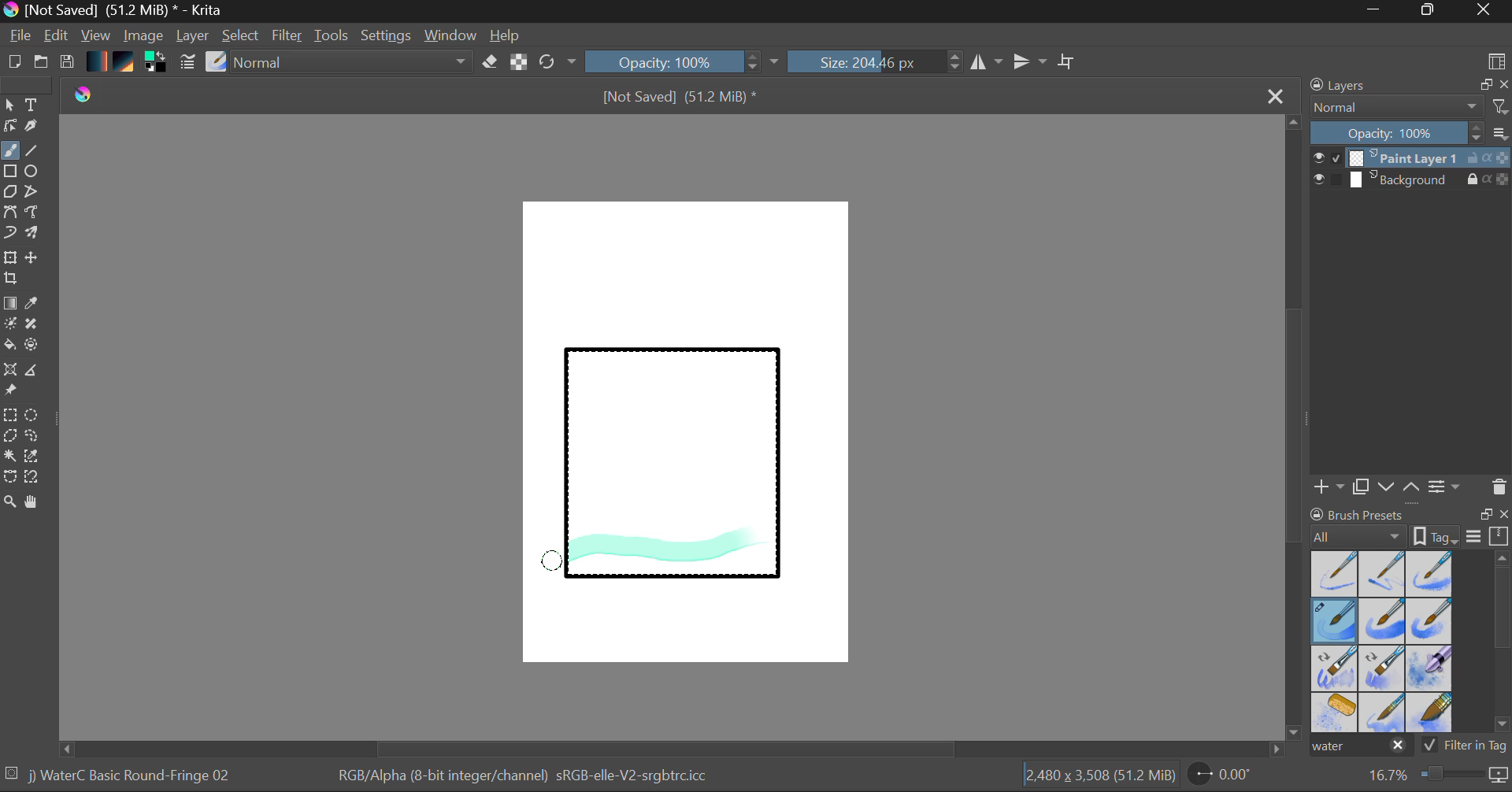 The width and height of the screenshot is (1512, 792). I want to click on Restore Down, so click(1379, 11).